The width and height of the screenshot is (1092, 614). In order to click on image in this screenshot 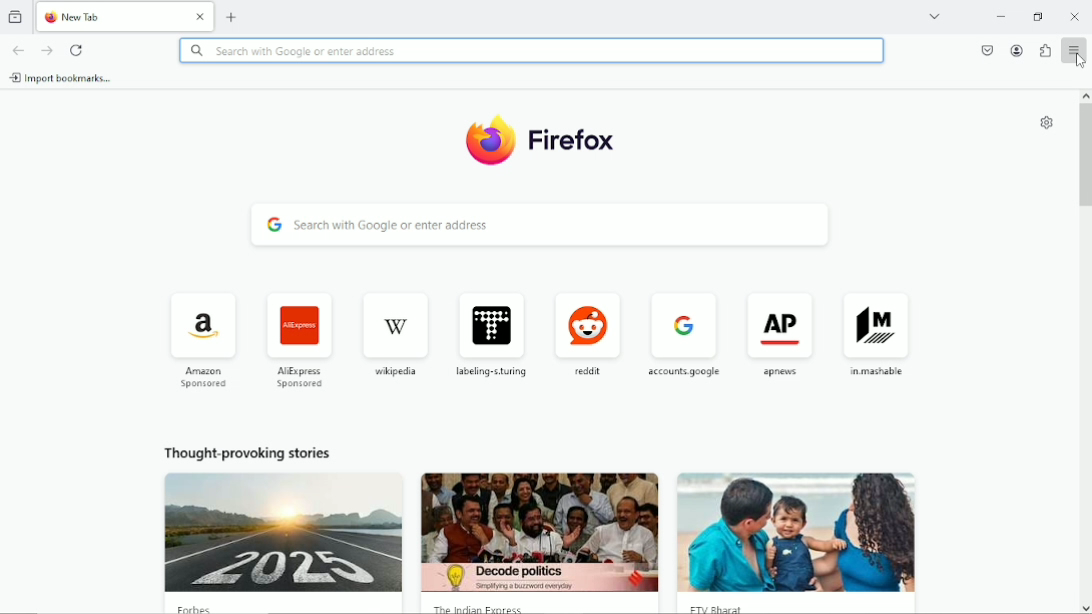, I will do `click(798, 529)`.